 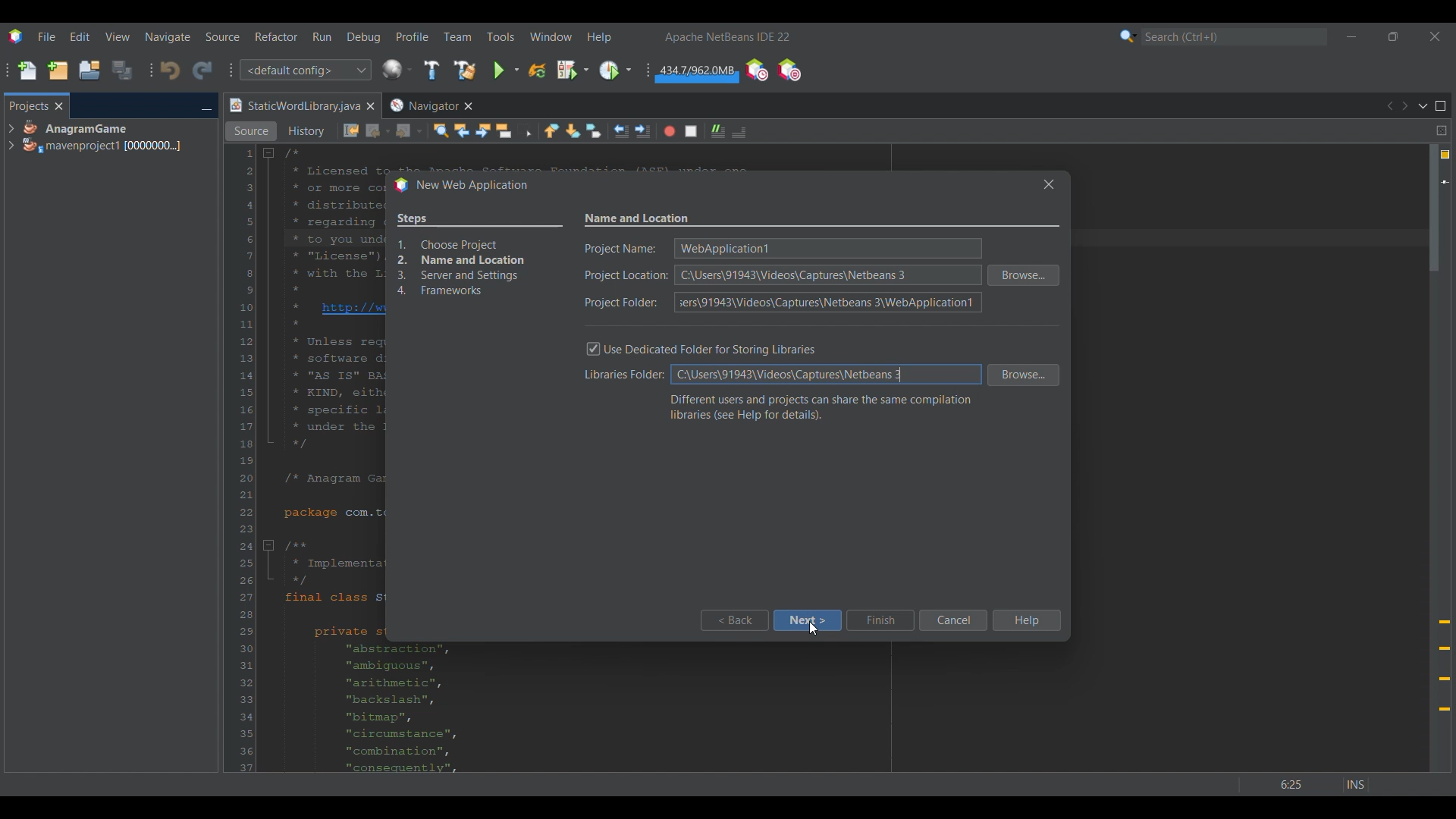 What do you see at coordinates (378, 131) in the screenshot?
I see `Back` at bounding box center [378, 131].